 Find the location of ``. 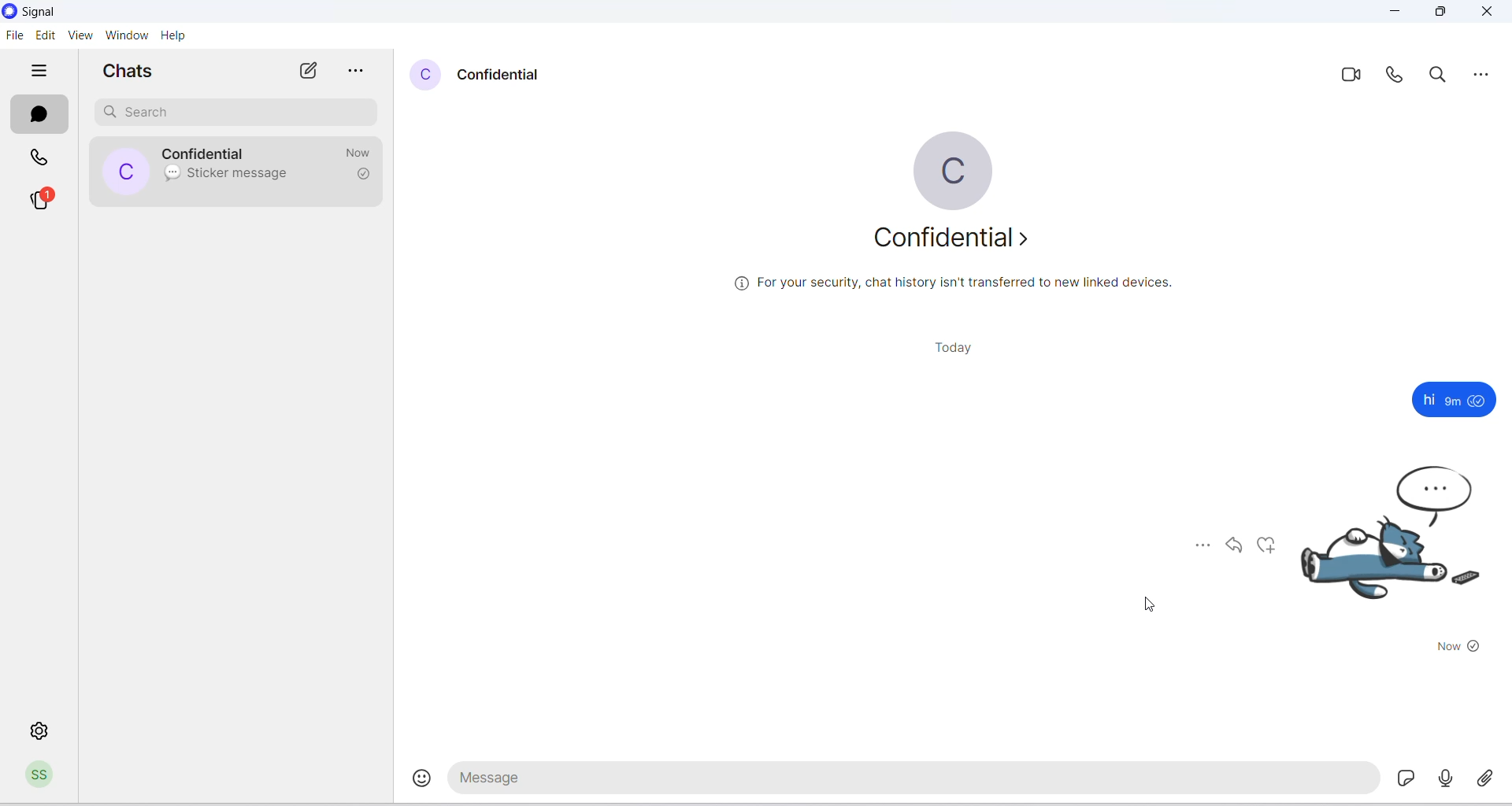

 is located at coordinates (367, 175).